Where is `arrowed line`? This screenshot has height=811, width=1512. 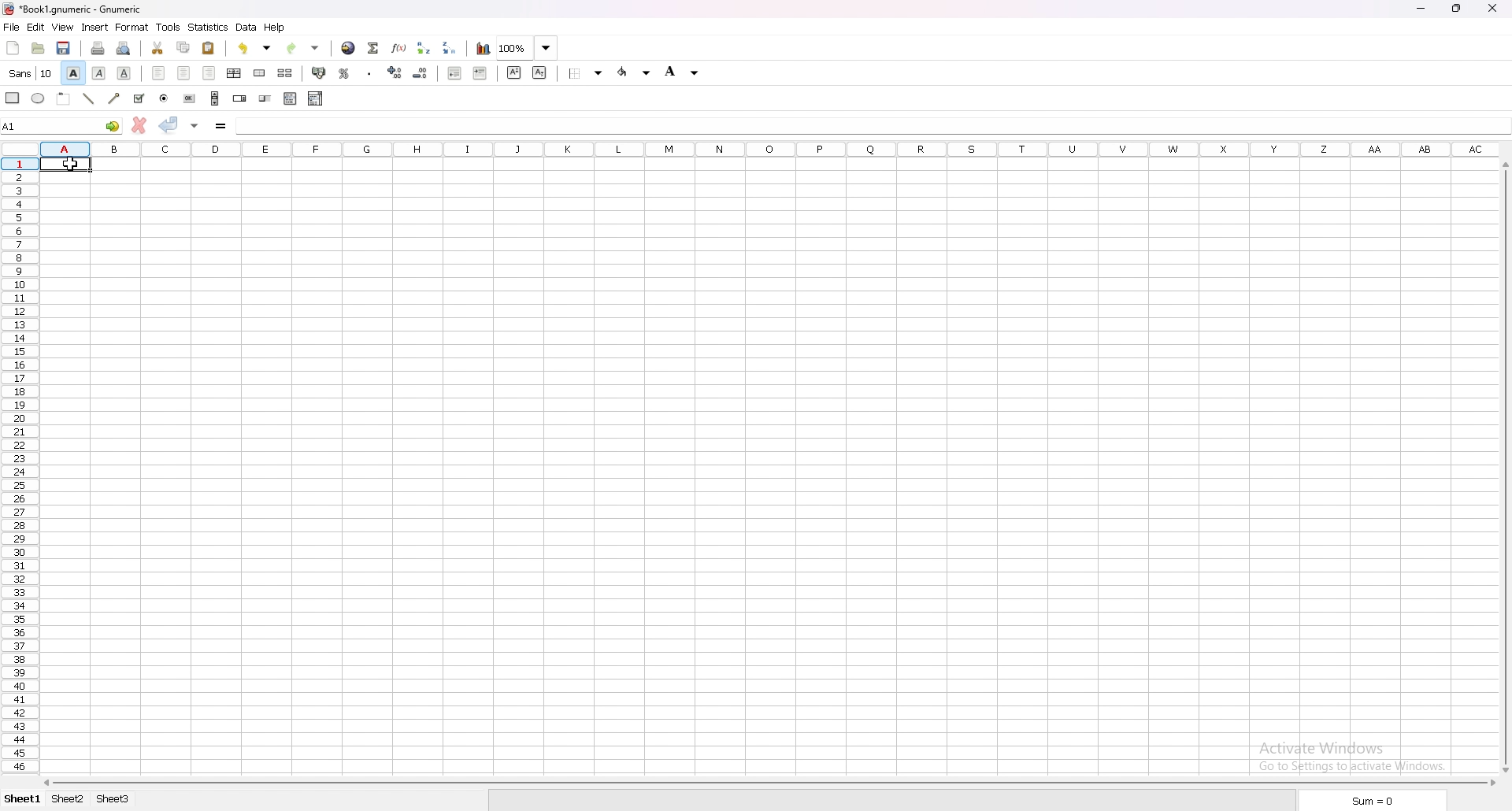
arrowed line is located at coordinates (115, 98).